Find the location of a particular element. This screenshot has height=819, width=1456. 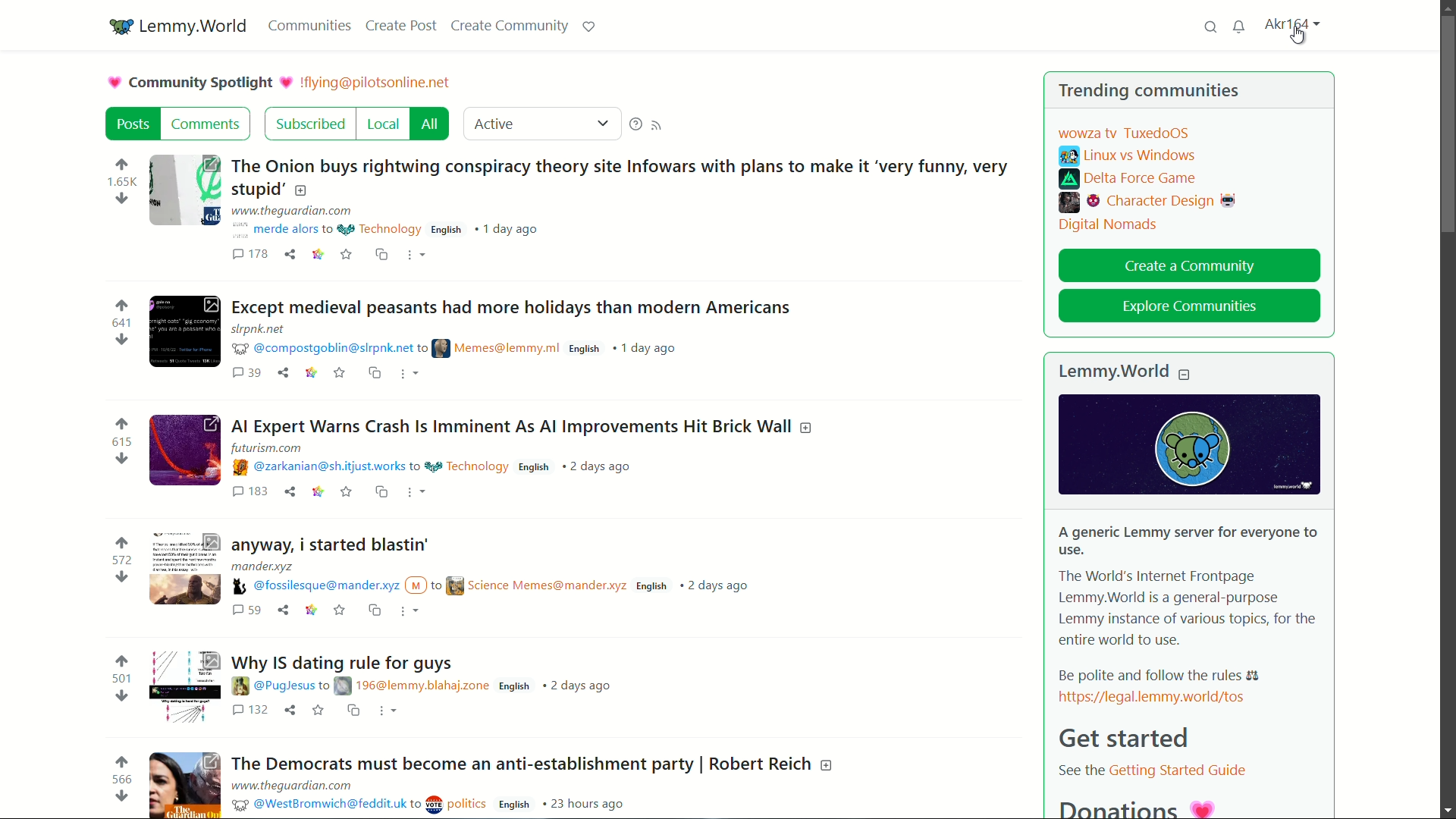

post-5 is located at coordinates (345, 664).